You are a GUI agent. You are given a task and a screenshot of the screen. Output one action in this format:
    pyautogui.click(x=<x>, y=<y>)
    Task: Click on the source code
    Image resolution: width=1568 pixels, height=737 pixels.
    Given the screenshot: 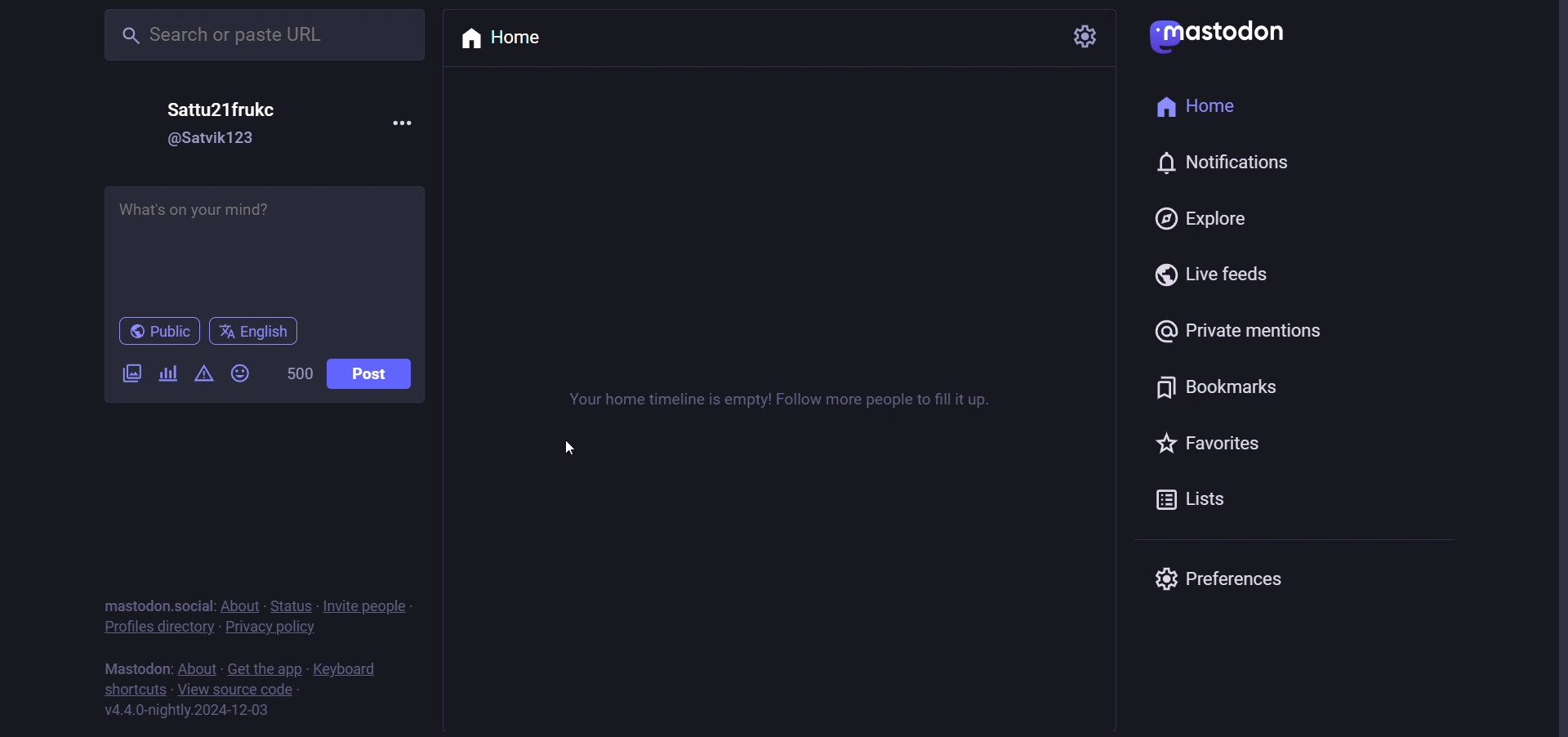 What is the action you would take?
    pyautogui.click(x=234, y=690)
    